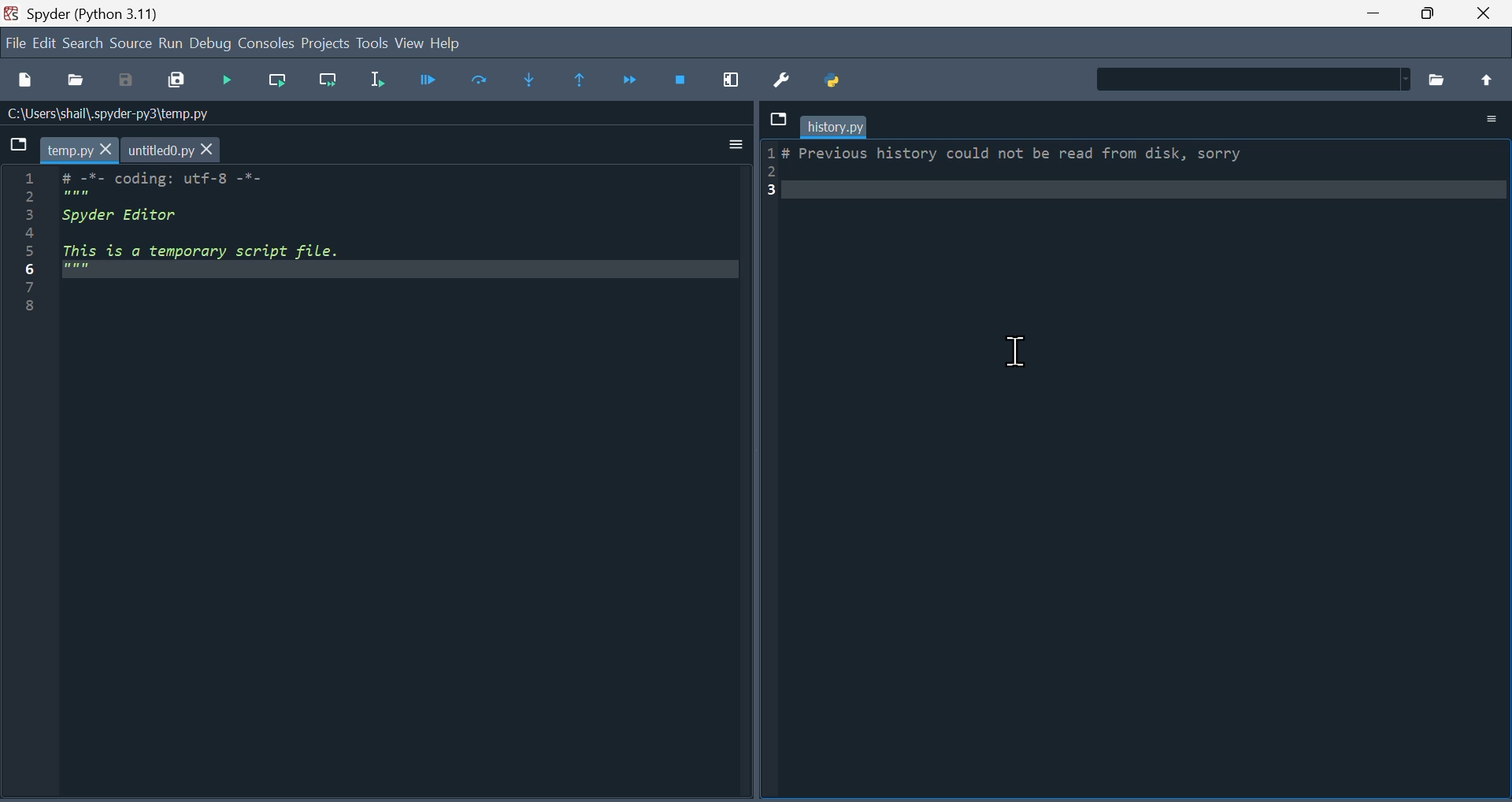 Image resolution: width=1512 pixels, height=802 pixels. Describe the element at coordinates (487, 79) in the screenshot. I see `Run cell` at that location.